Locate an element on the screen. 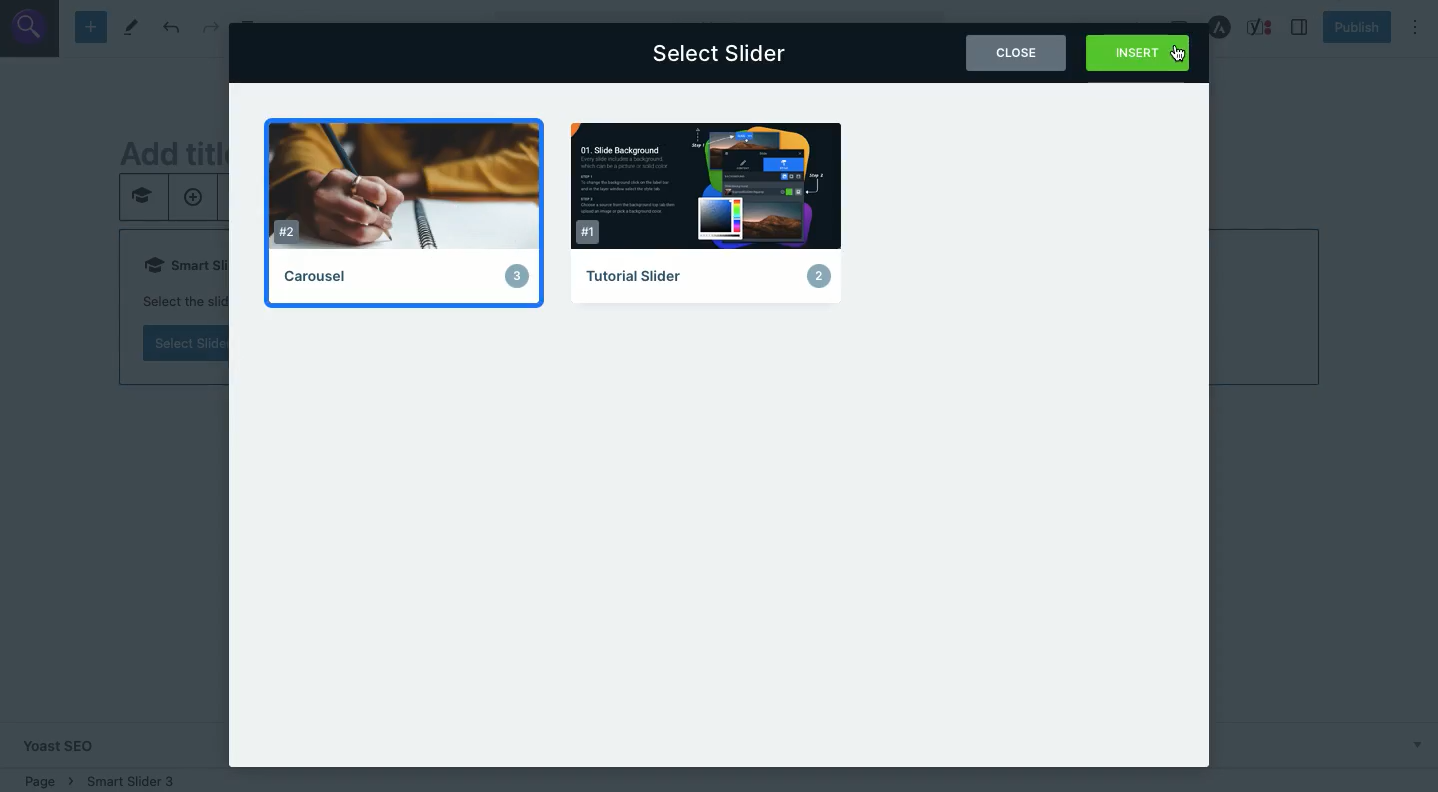 Image resolution: width=1438 pixels, height=792 pixels. Tutorial slider is located at coordinates (709, 212).